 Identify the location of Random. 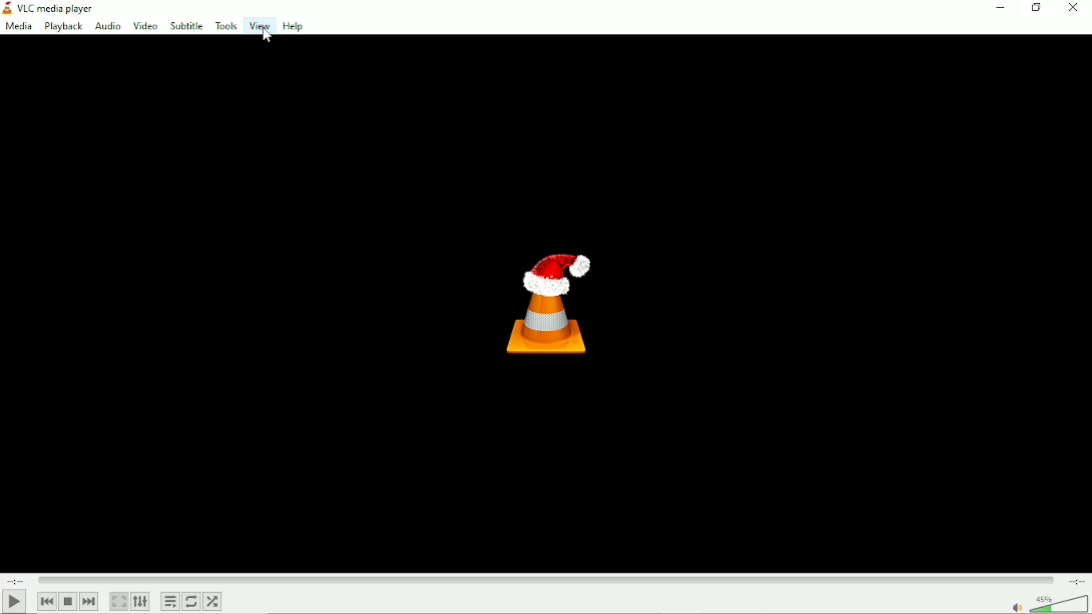
(212, 601).